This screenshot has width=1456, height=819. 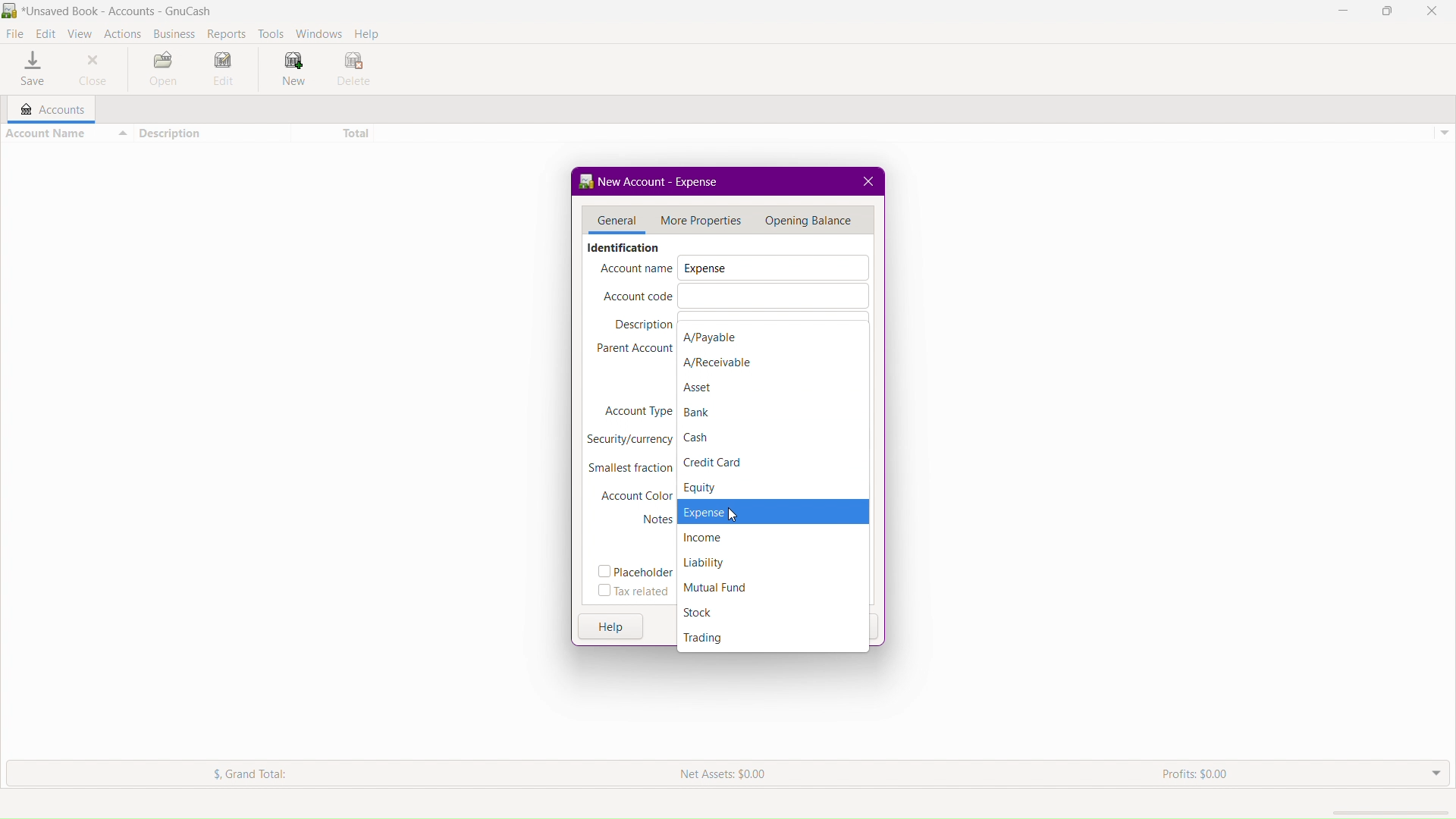 I want to click on General, so click(x=612, y=221).